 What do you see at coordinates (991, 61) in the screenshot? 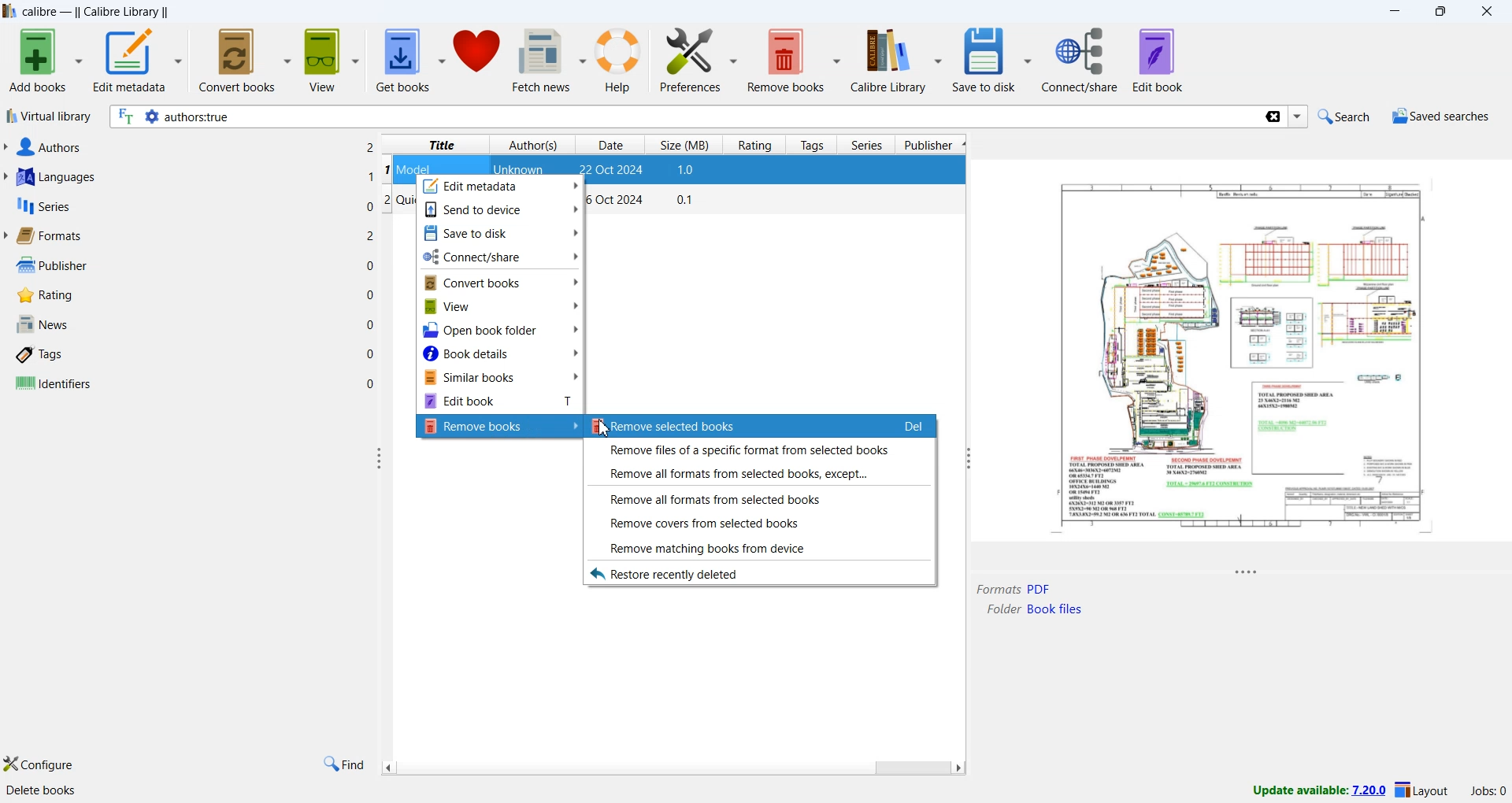
I see `save to disk` at bounding box center [991, 61].